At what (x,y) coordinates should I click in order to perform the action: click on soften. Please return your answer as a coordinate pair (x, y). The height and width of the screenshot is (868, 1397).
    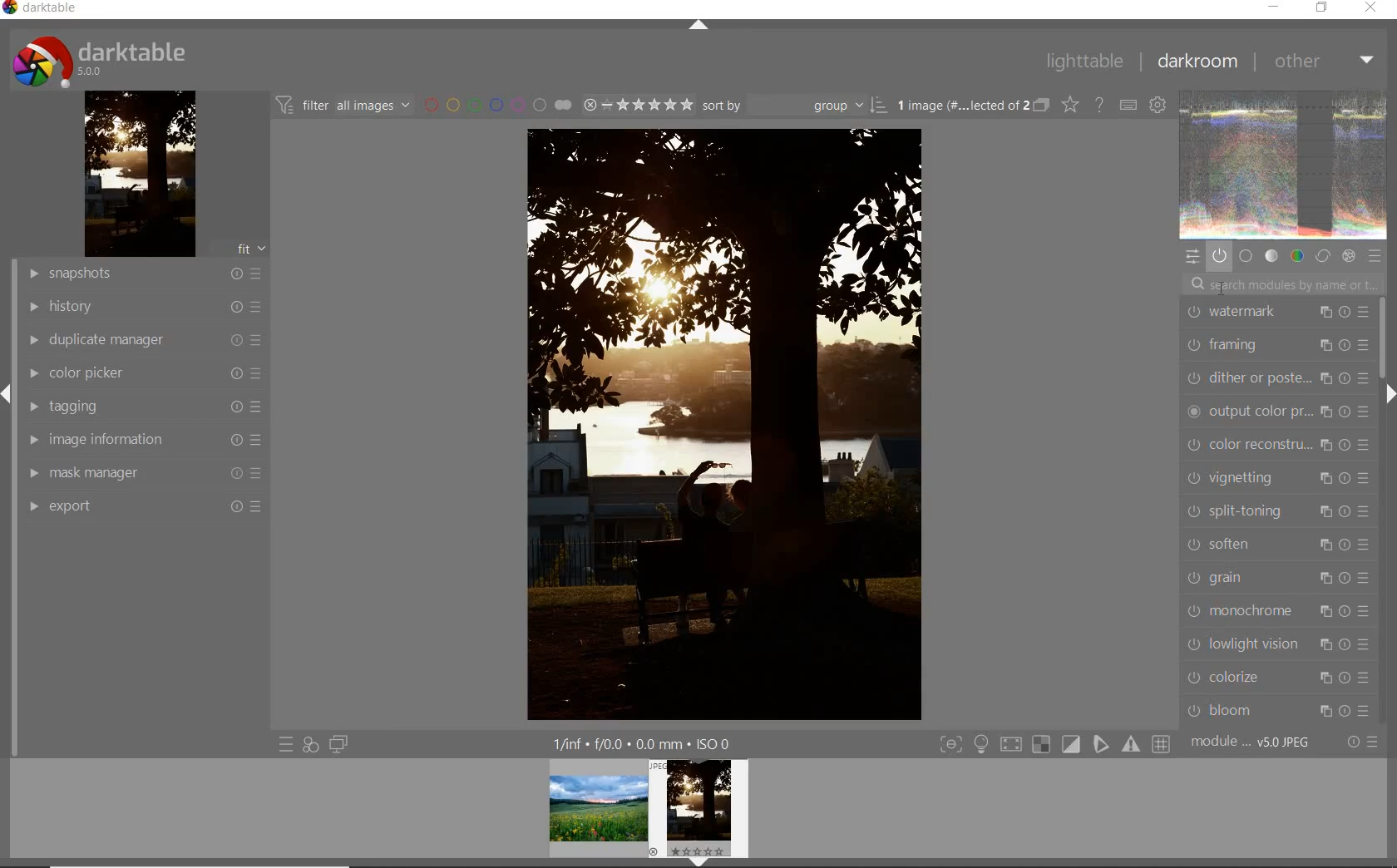
    Looking at the image, I should click on (1276, 544).